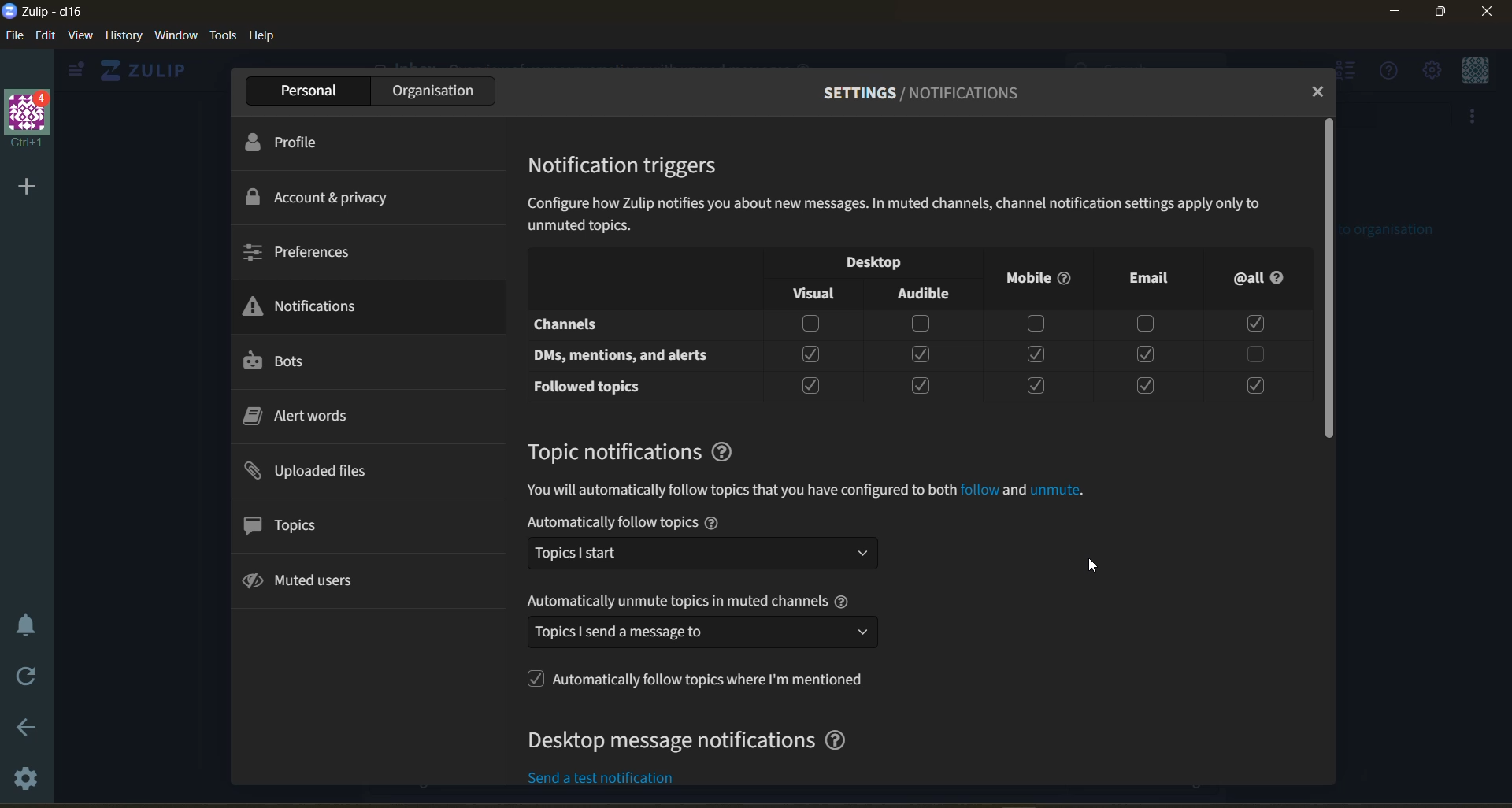 This screenshot has height=808, width=1512. What do you see at coordinates (1477, 120) in the screenshot?
I see `more options` at bounding box center [1477, 120].